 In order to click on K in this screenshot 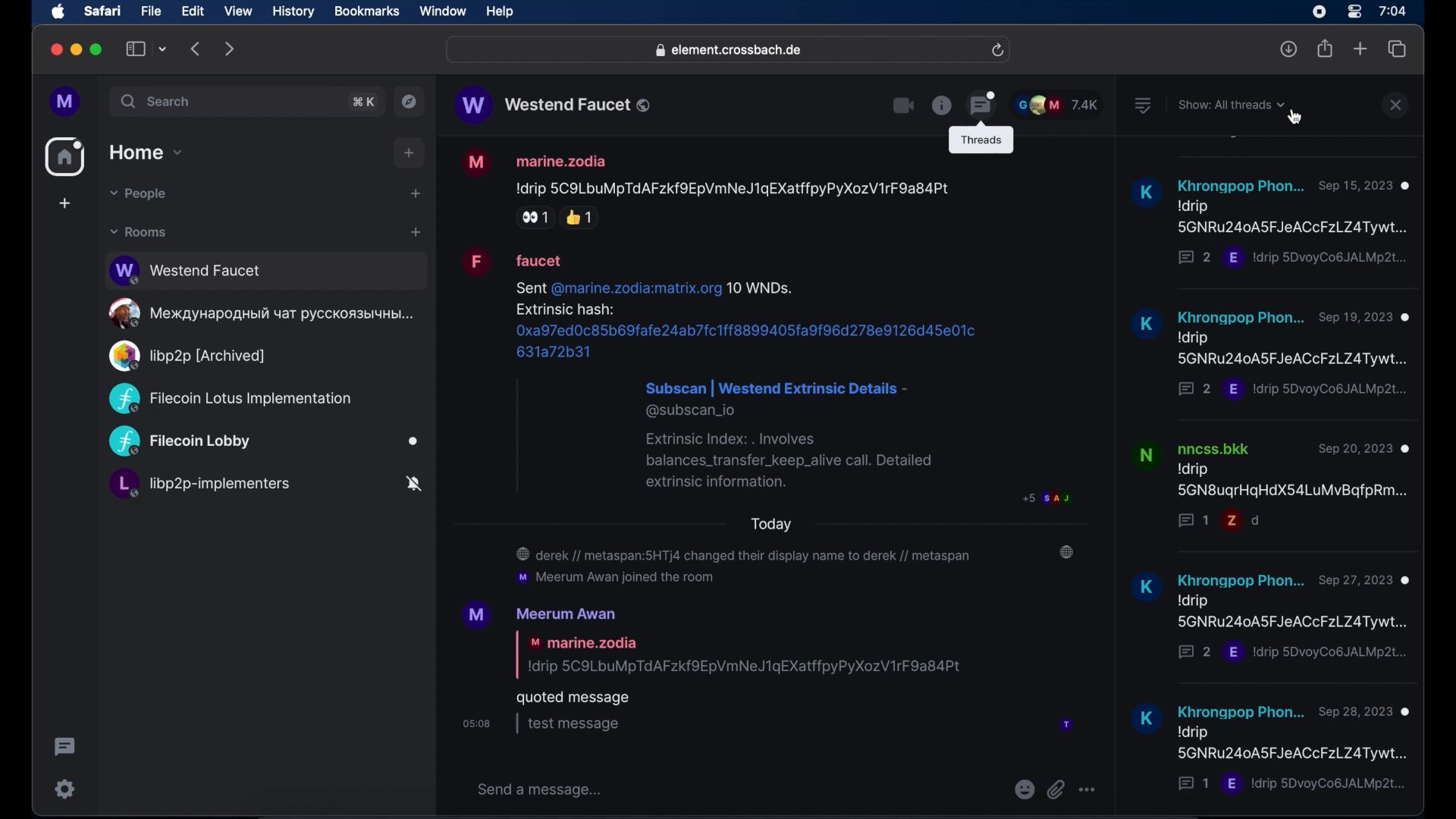, I will do `click(1145, 193)`.